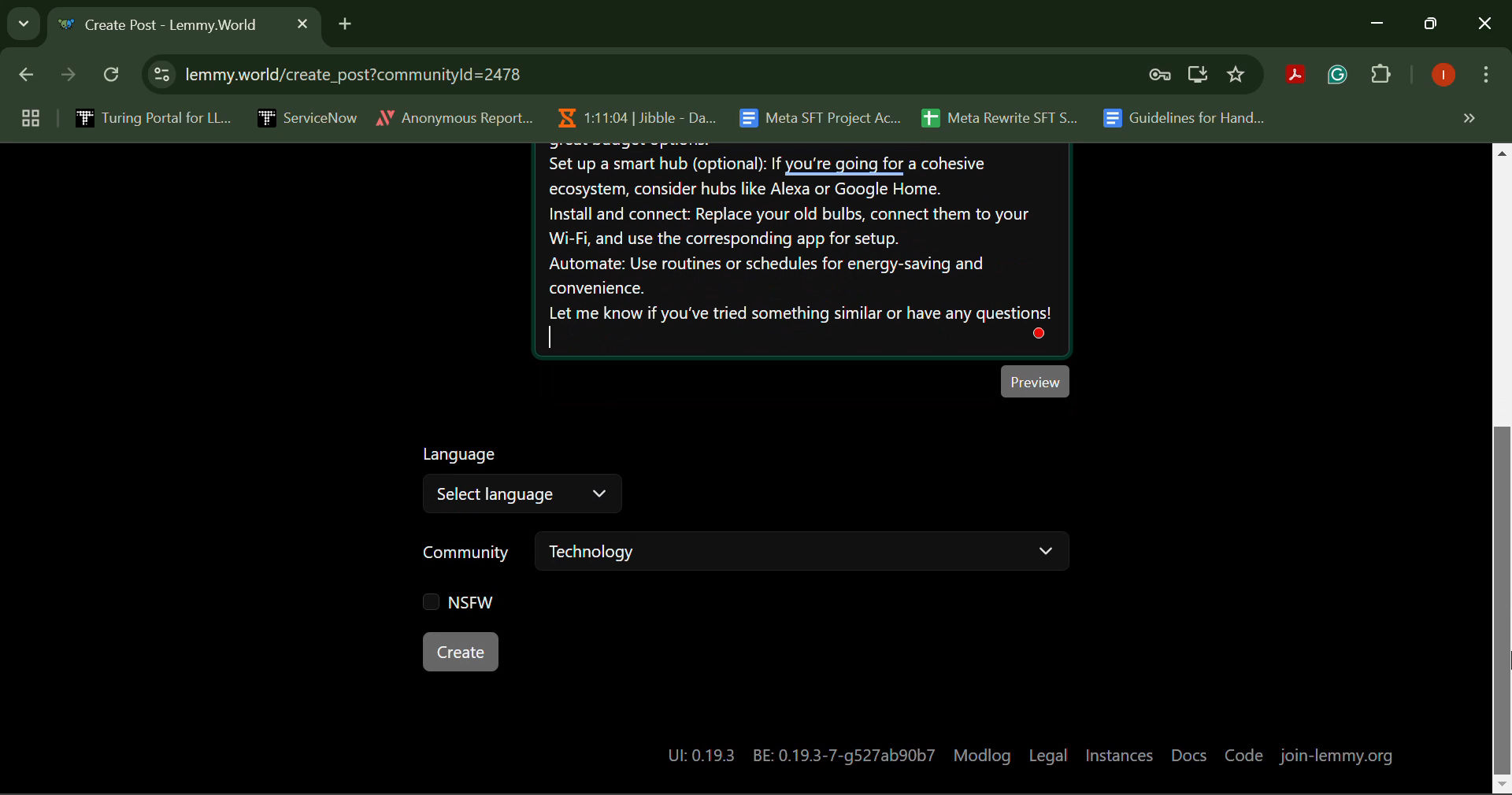 The width and height of the screenshot is (1512, 795). Describe the element at coordinates (519, 480) in the screenshot. I see `Select Language` at that location.